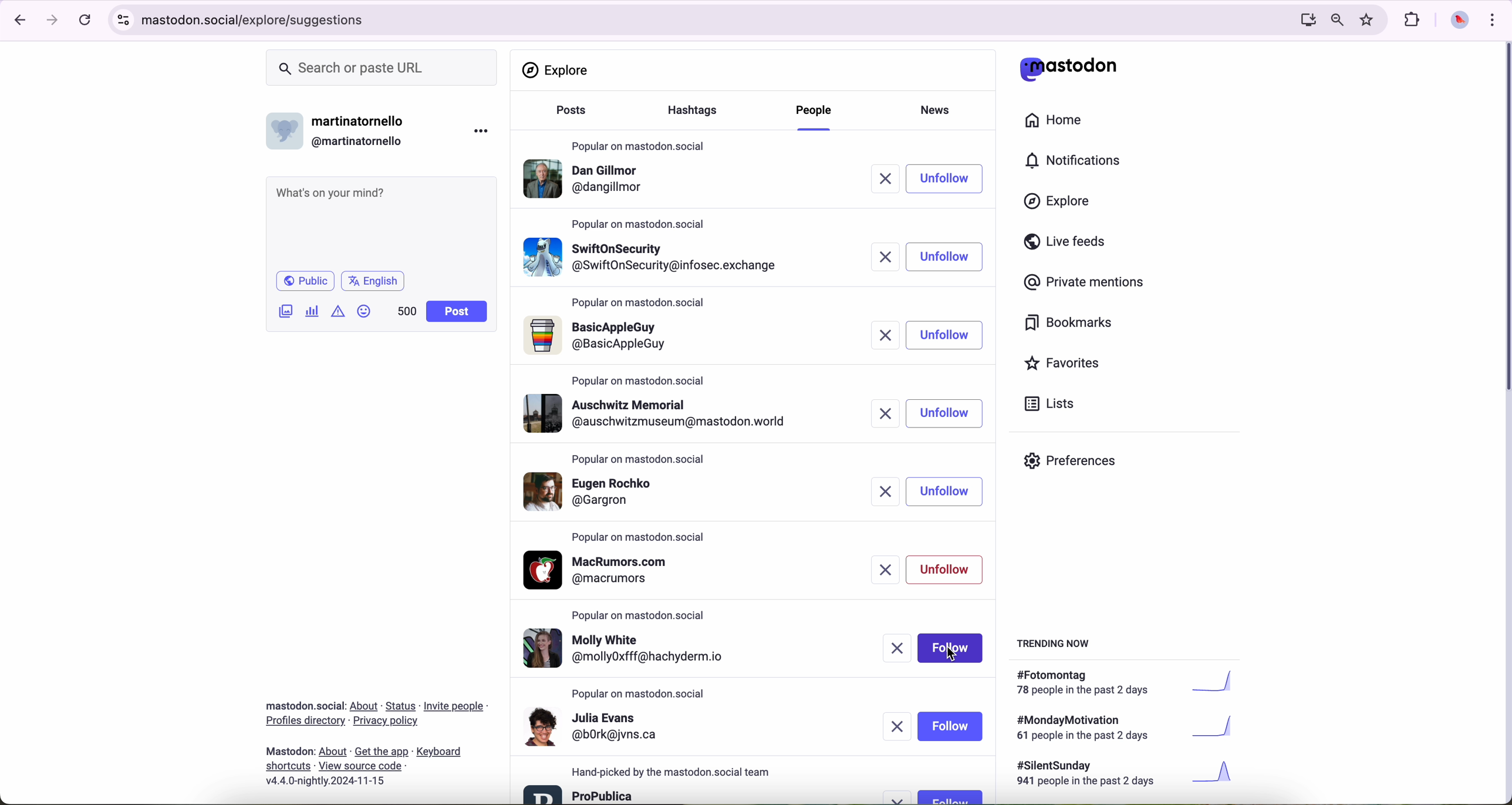  Describe the element at coordinates (951, 726) in the screenshot. I see `follow button` at that location.